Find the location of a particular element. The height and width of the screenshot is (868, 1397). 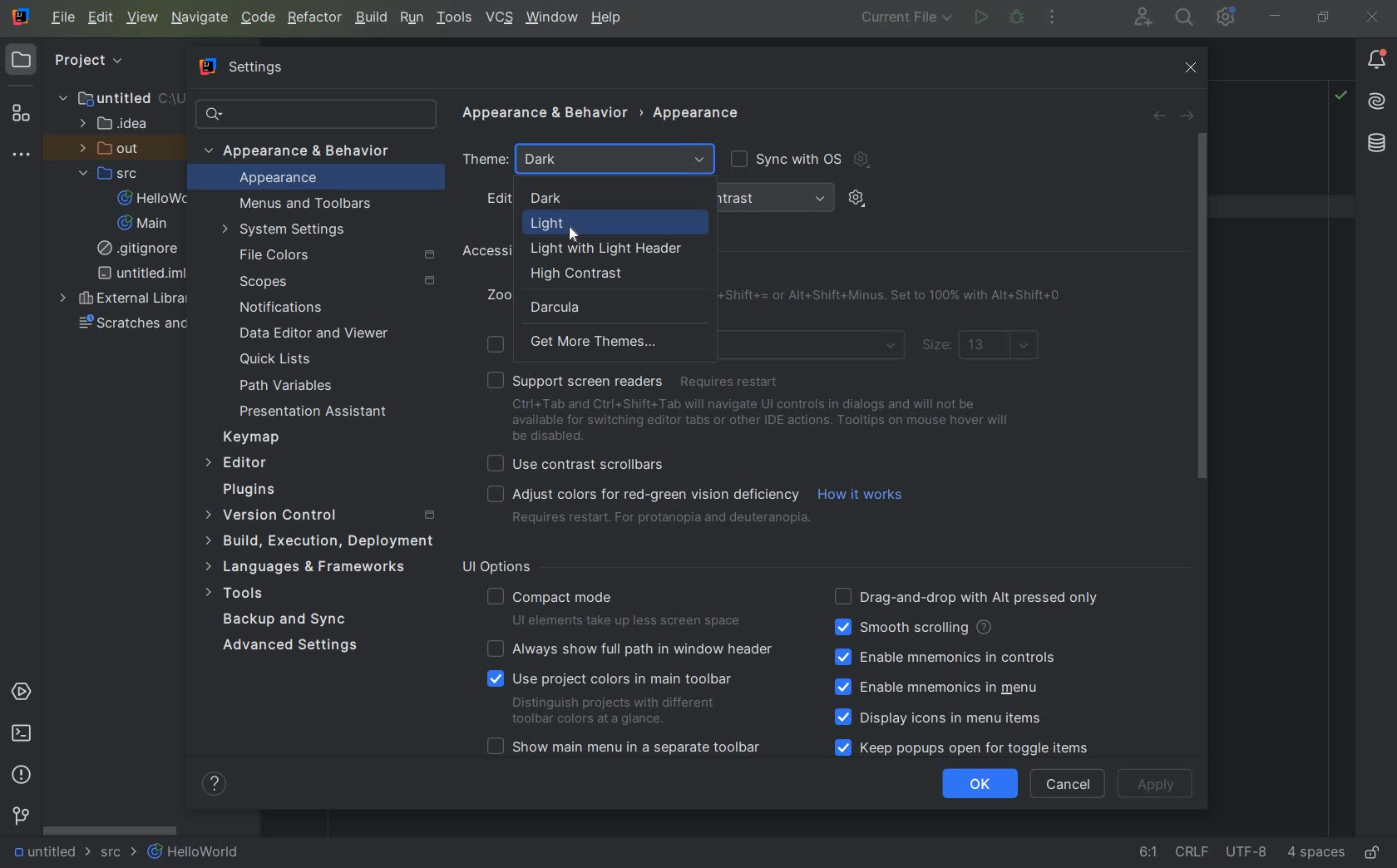

CURRENT FILE is located at coordinates (906, 19).